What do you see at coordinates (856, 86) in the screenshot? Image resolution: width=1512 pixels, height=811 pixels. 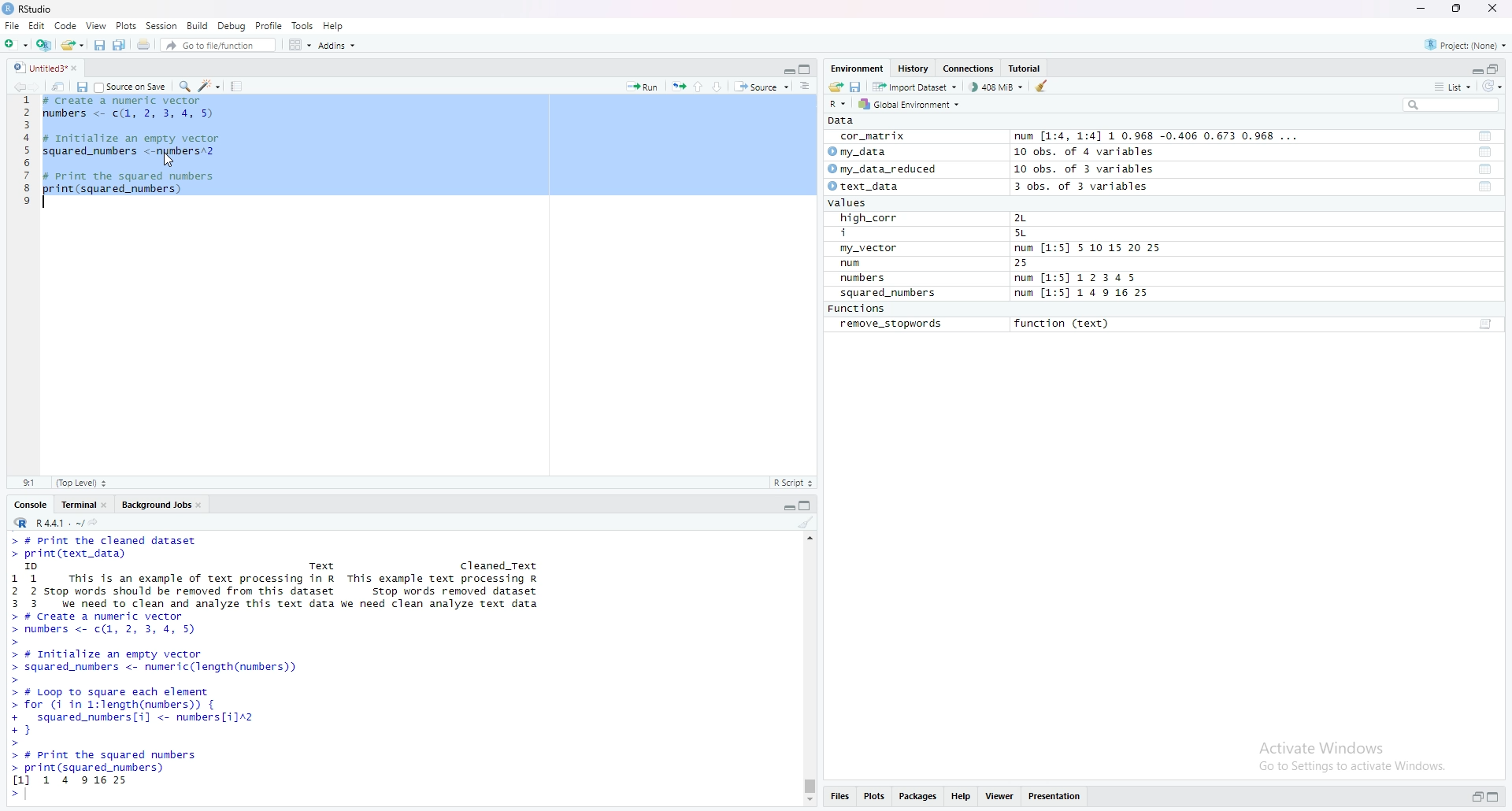 I see `save workspace` at bounding box center [856, 86].